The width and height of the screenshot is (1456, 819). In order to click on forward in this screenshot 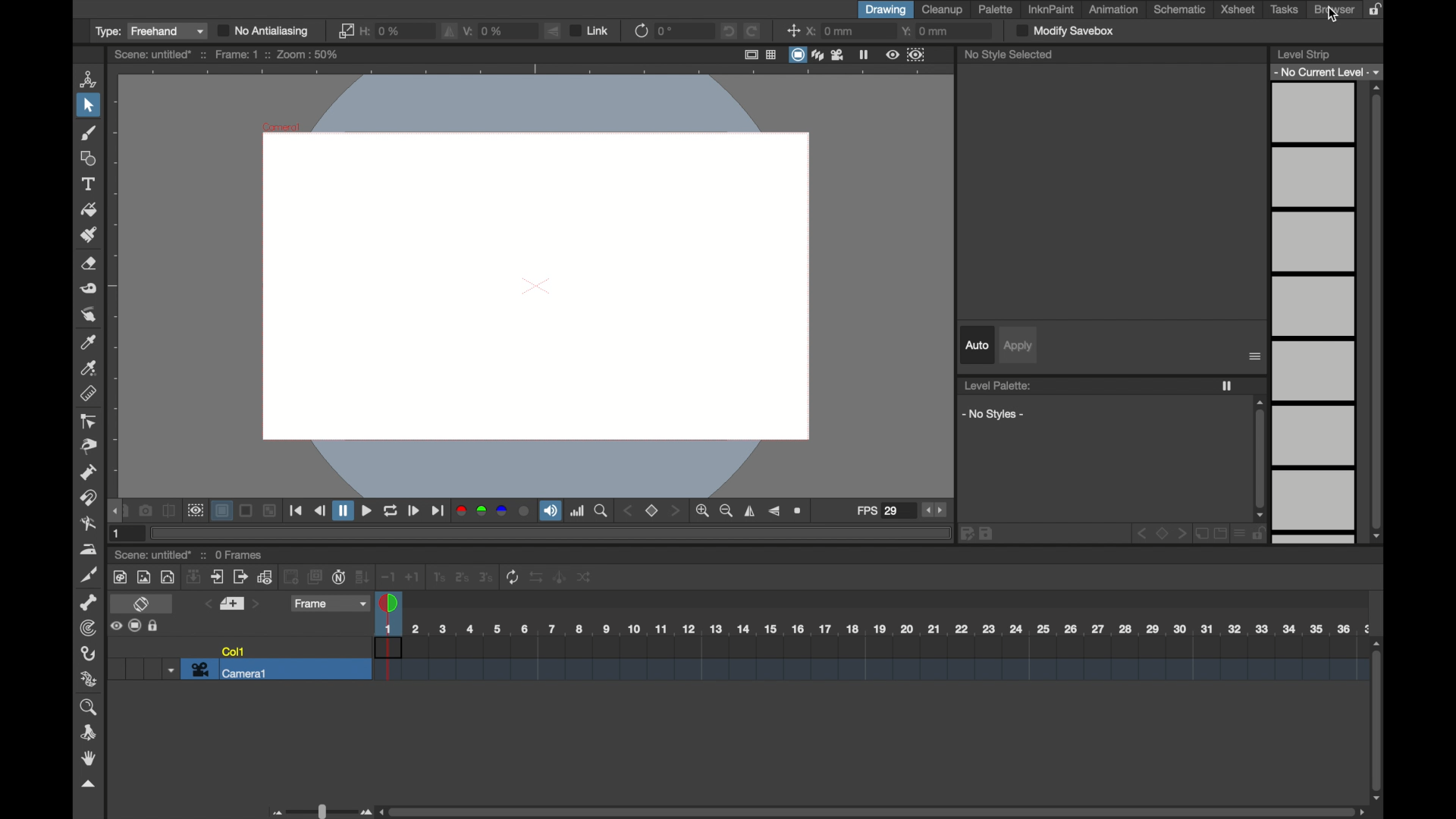, I will do `click(240, 576)`.